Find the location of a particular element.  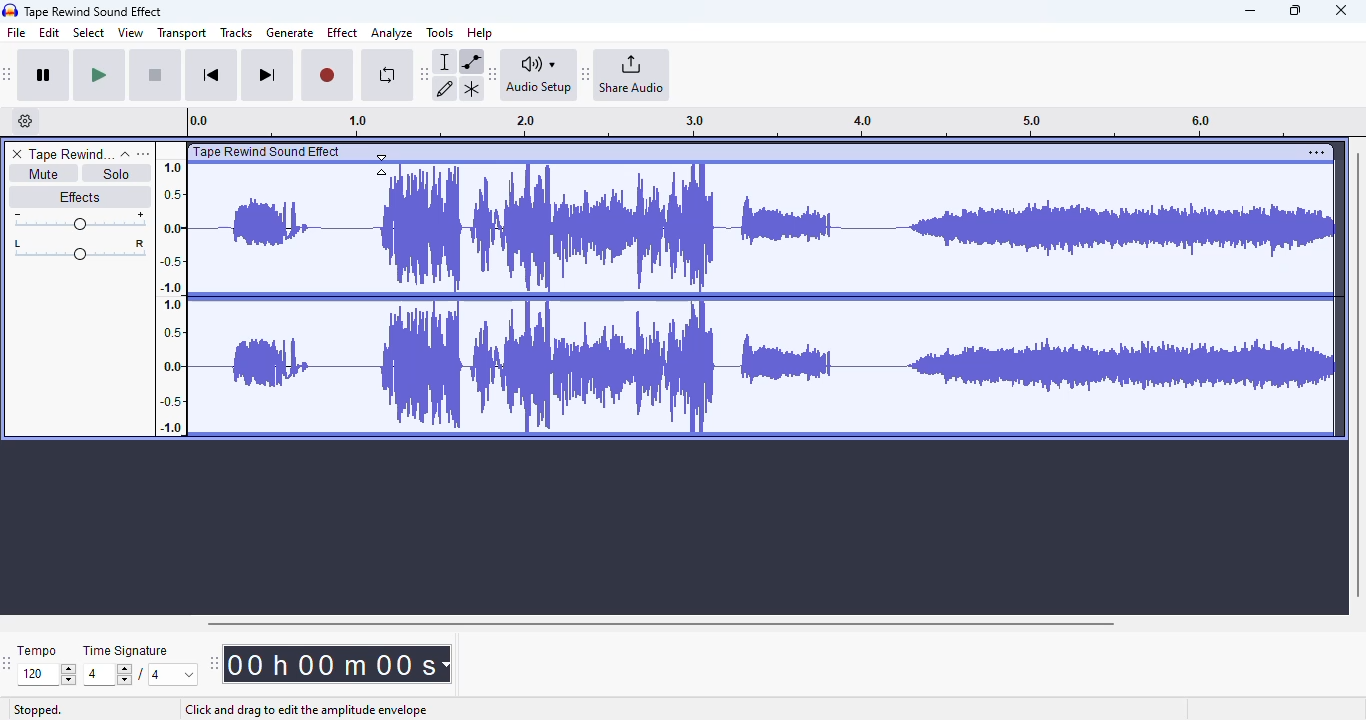

Input for time signature is located at coordinates (108, 675).